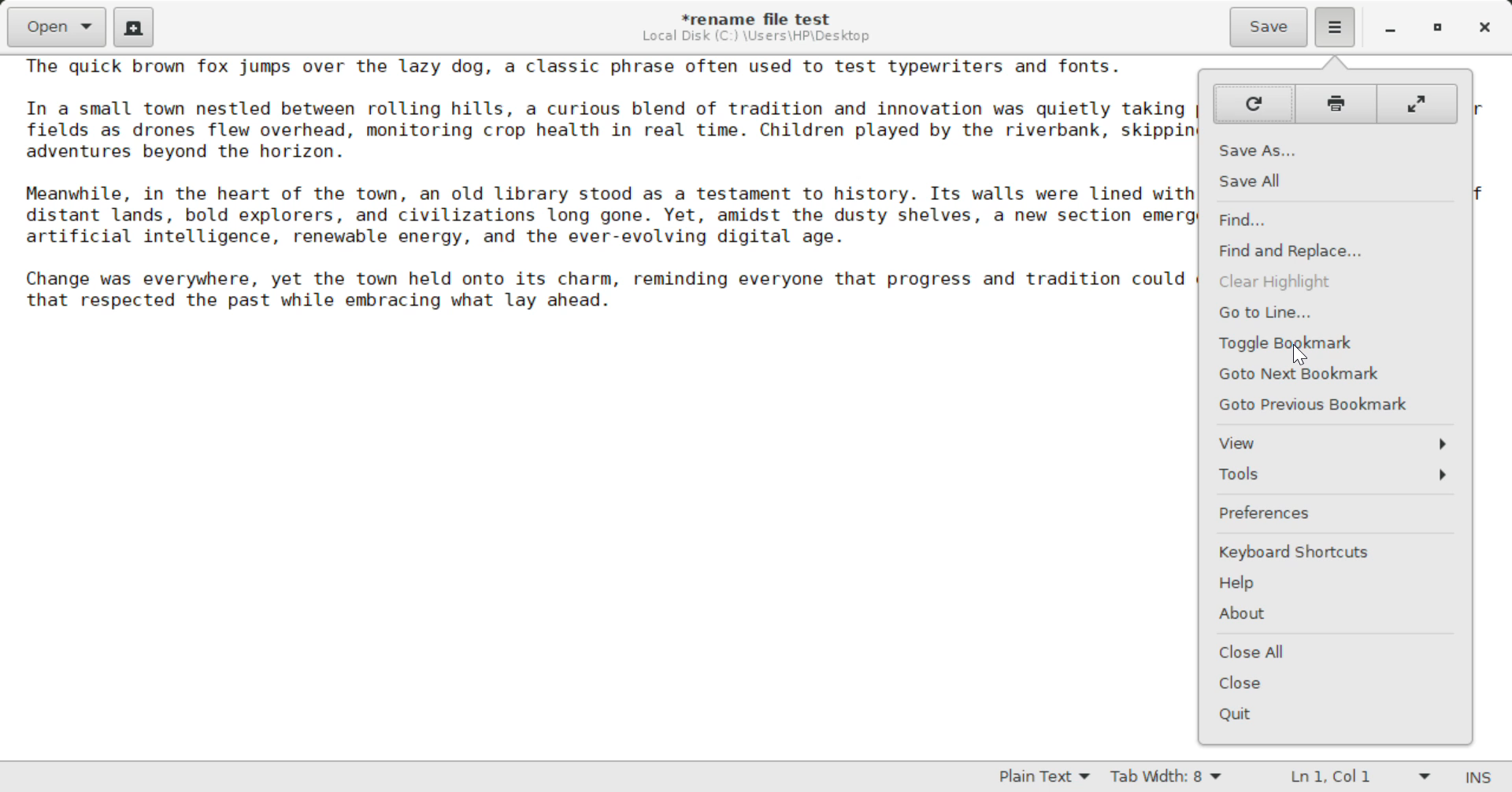 The image size is (1512, 792). What do you see at coordinates (1332, 250) in the screenshot?
I see `Find and Replace` at bounding box center [1332, 250].